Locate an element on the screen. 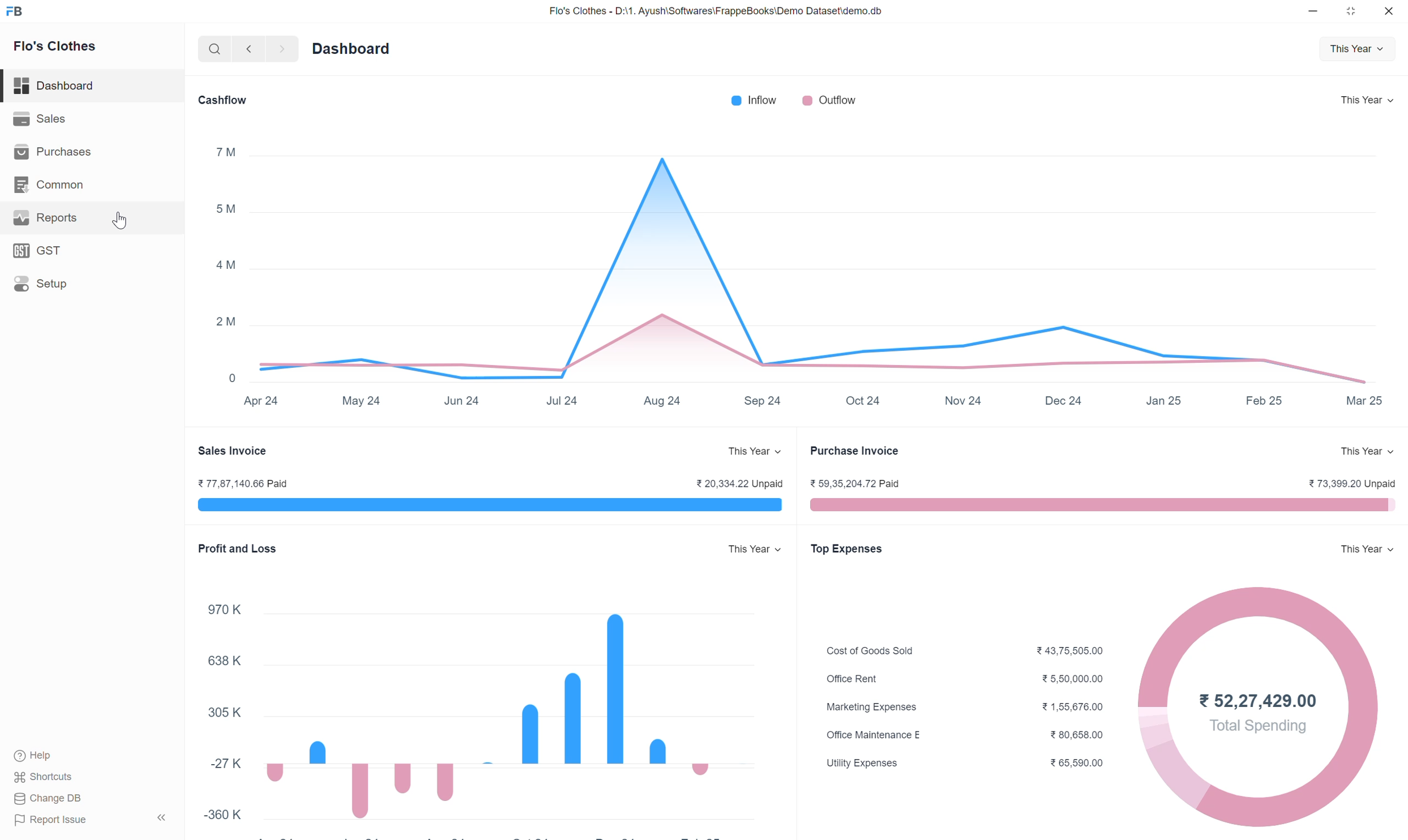 The height and width of the screenshot is (840, 1408). Cost of Goods Sold ¥ 43,75,505.00 is located at coordinates (965, 646).